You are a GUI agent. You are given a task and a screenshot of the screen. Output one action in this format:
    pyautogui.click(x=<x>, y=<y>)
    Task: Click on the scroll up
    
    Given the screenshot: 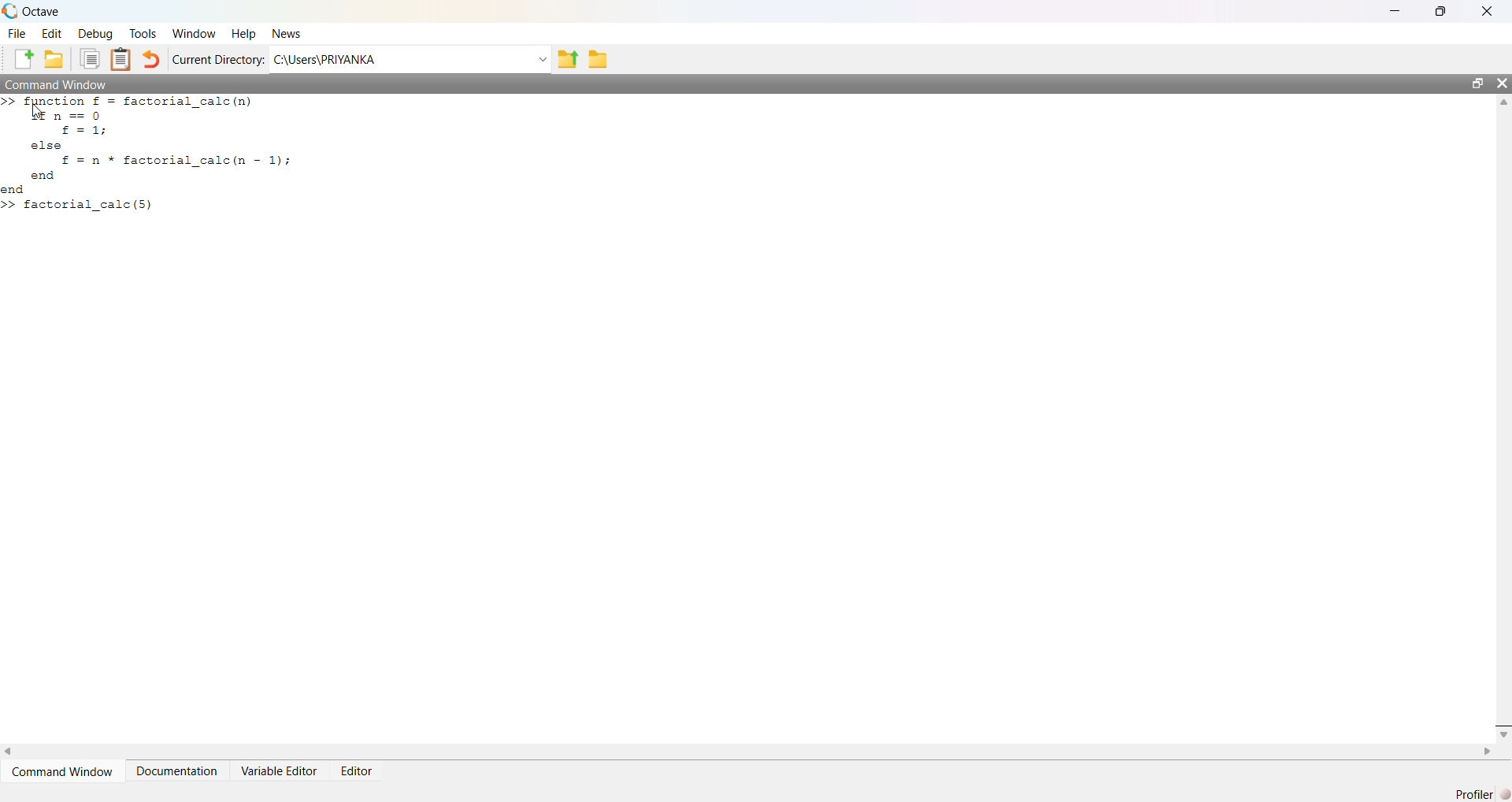 What is the action you would take?
    pyautogui.click(x=1502, y=102)
    